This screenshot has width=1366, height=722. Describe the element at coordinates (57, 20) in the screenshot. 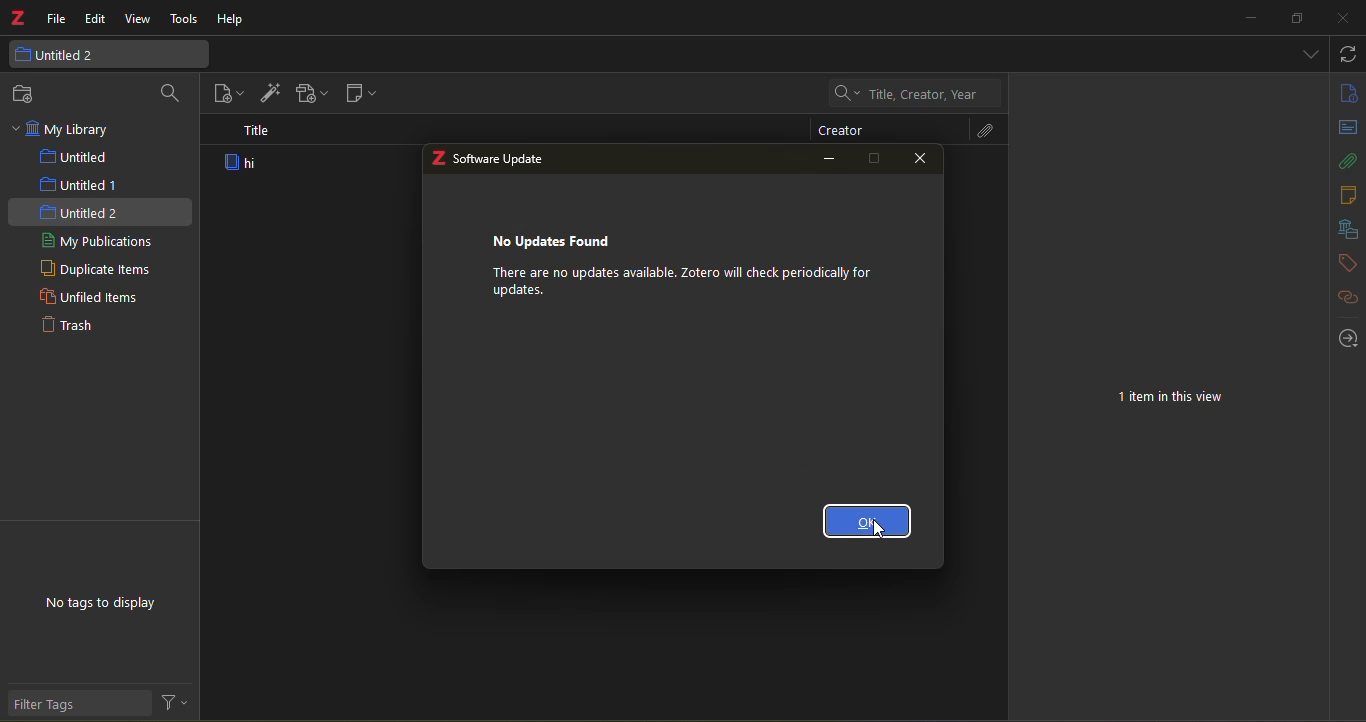

I see `file` at that location.